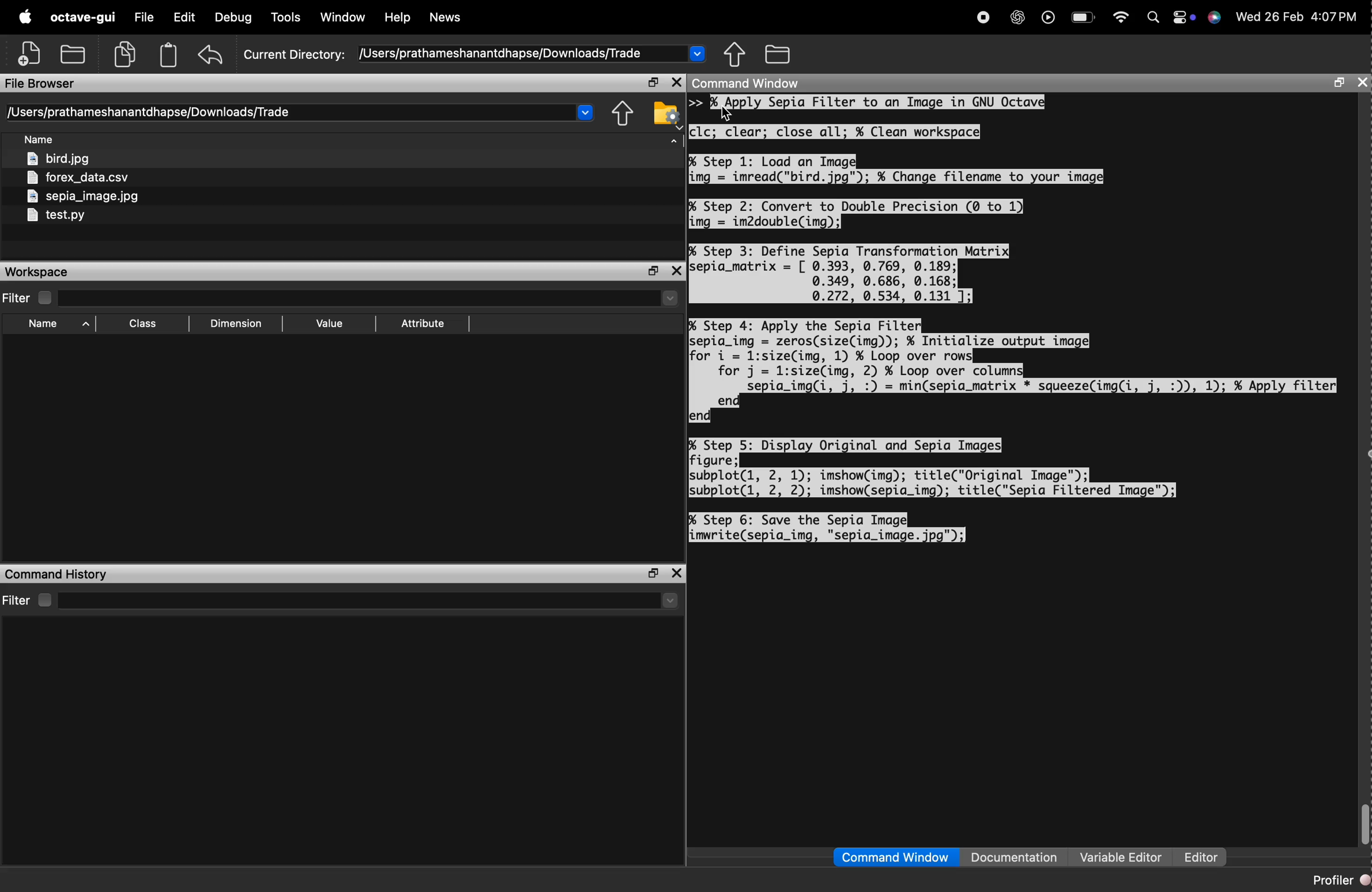 The image size is (1372, 892). I want to click on open in separate window, so click(653, 82).